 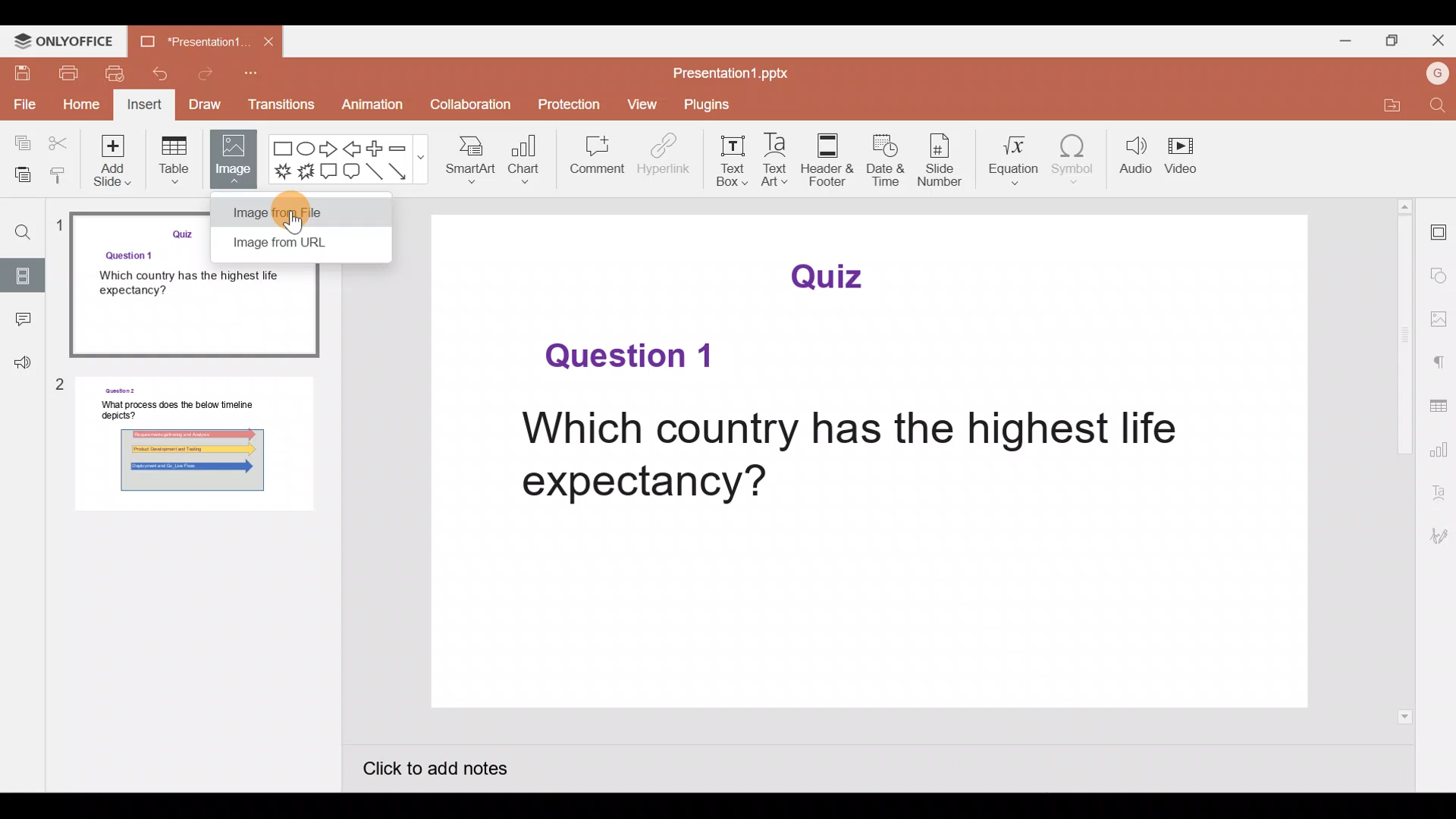 What do you see at coordinates (846, 457) in the screenshot?
I see `Which country has the highest life expectancy?` at bounding box center [846, 457].